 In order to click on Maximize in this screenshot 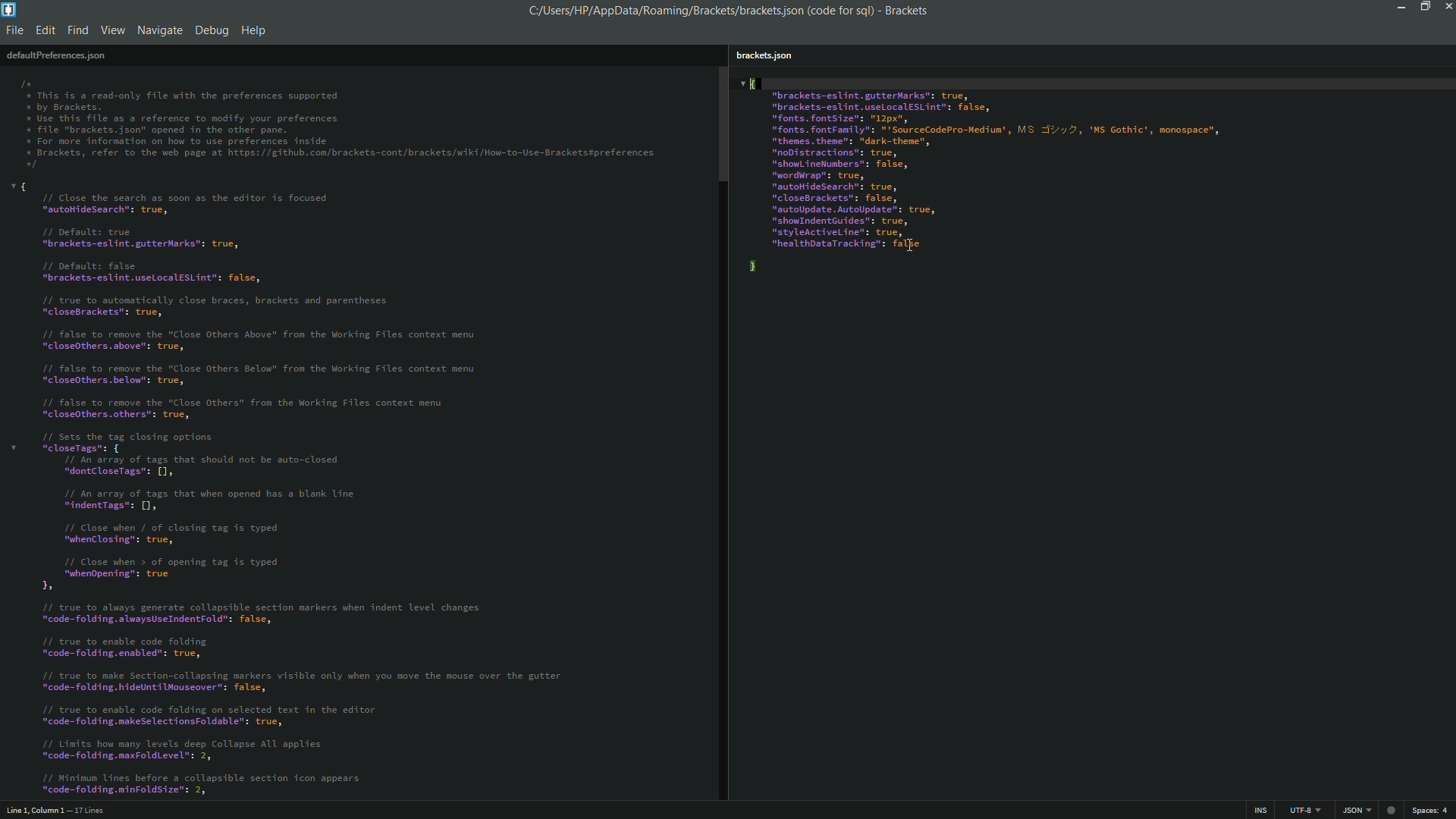, I will do `click(1423, 6)`.